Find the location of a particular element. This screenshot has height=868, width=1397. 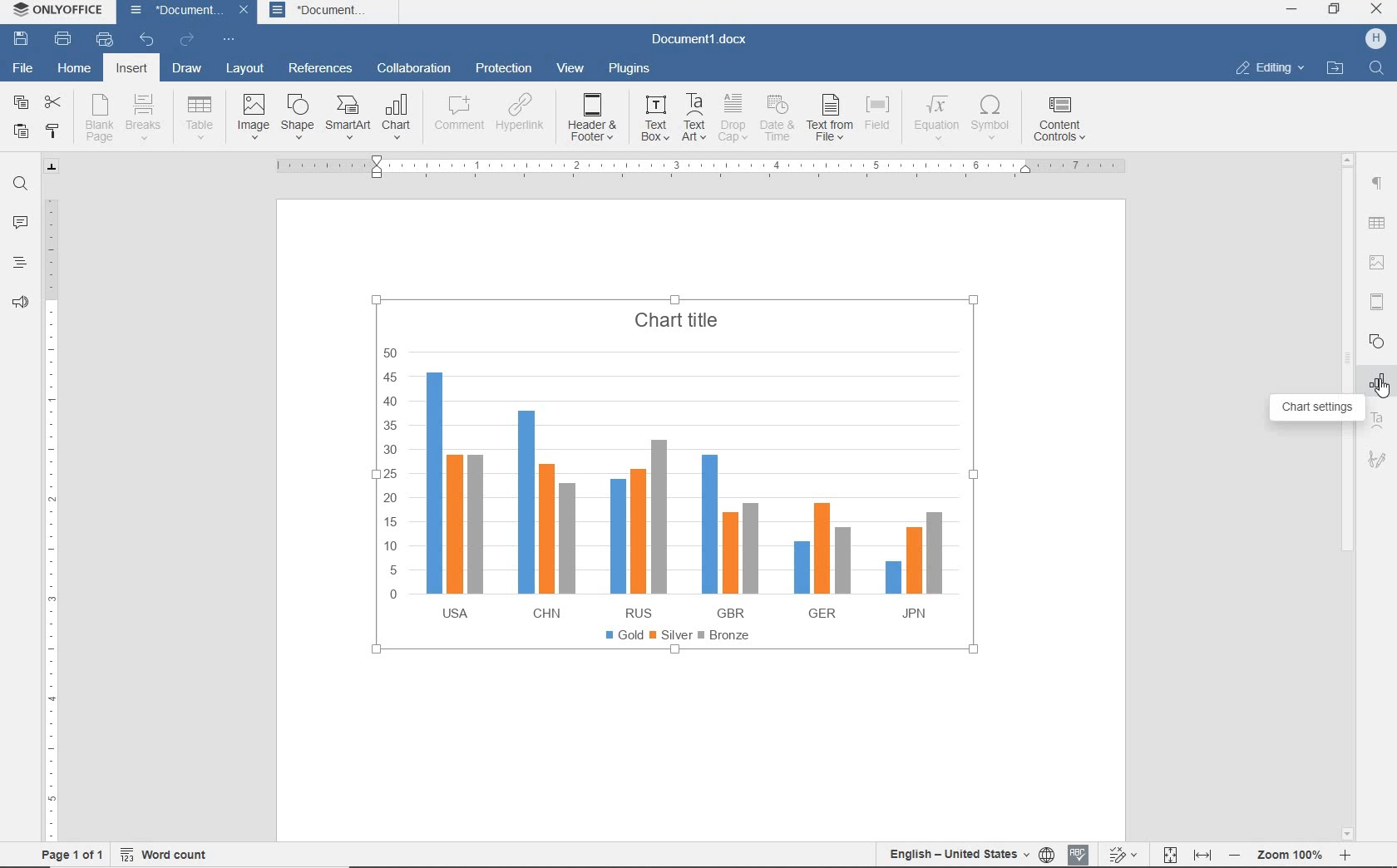

customize quick access toolbar is located at coordinates (230, 42).